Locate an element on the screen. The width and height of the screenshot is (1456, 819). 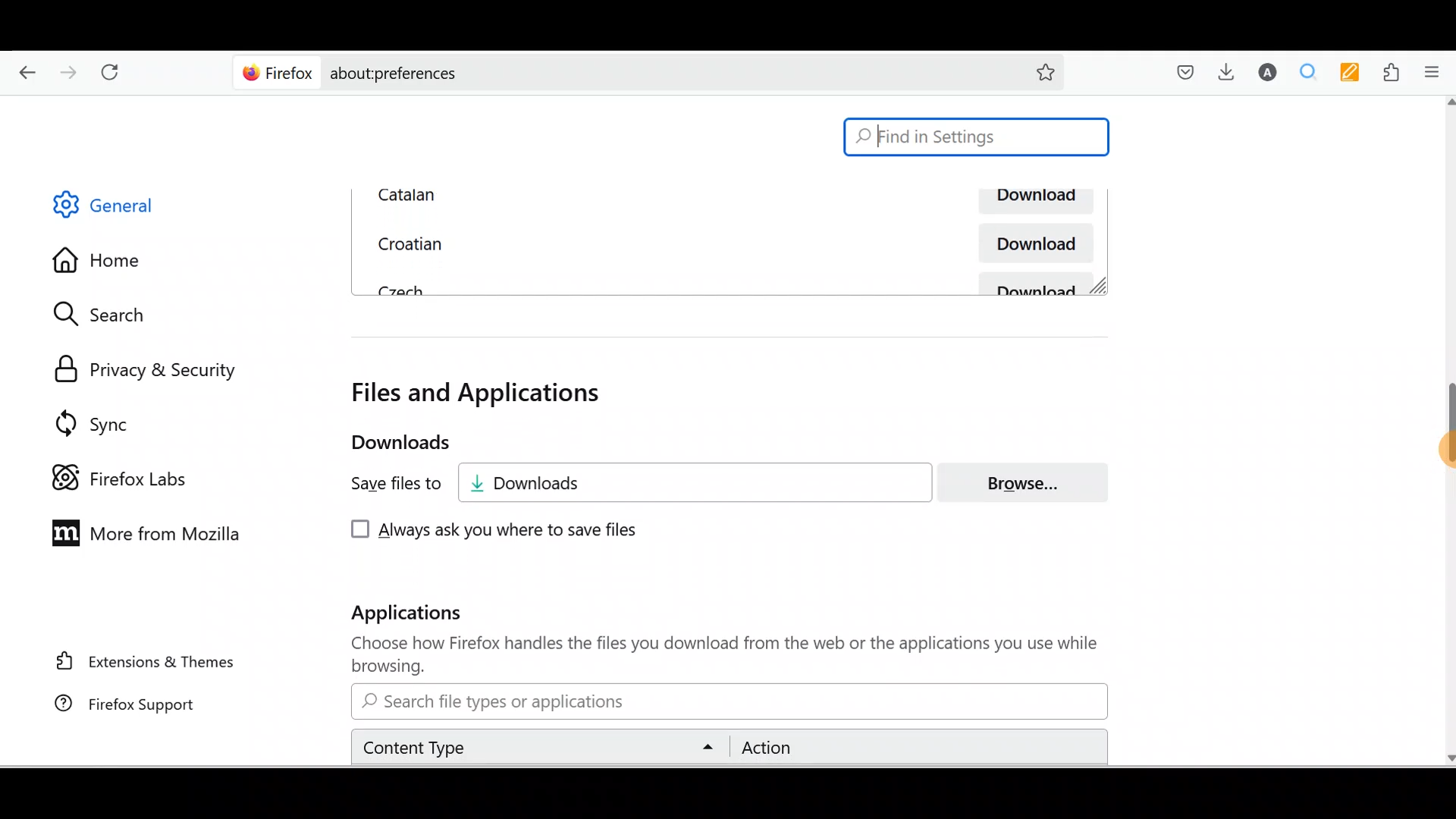
Search bar is located at coordinates (617, 73).